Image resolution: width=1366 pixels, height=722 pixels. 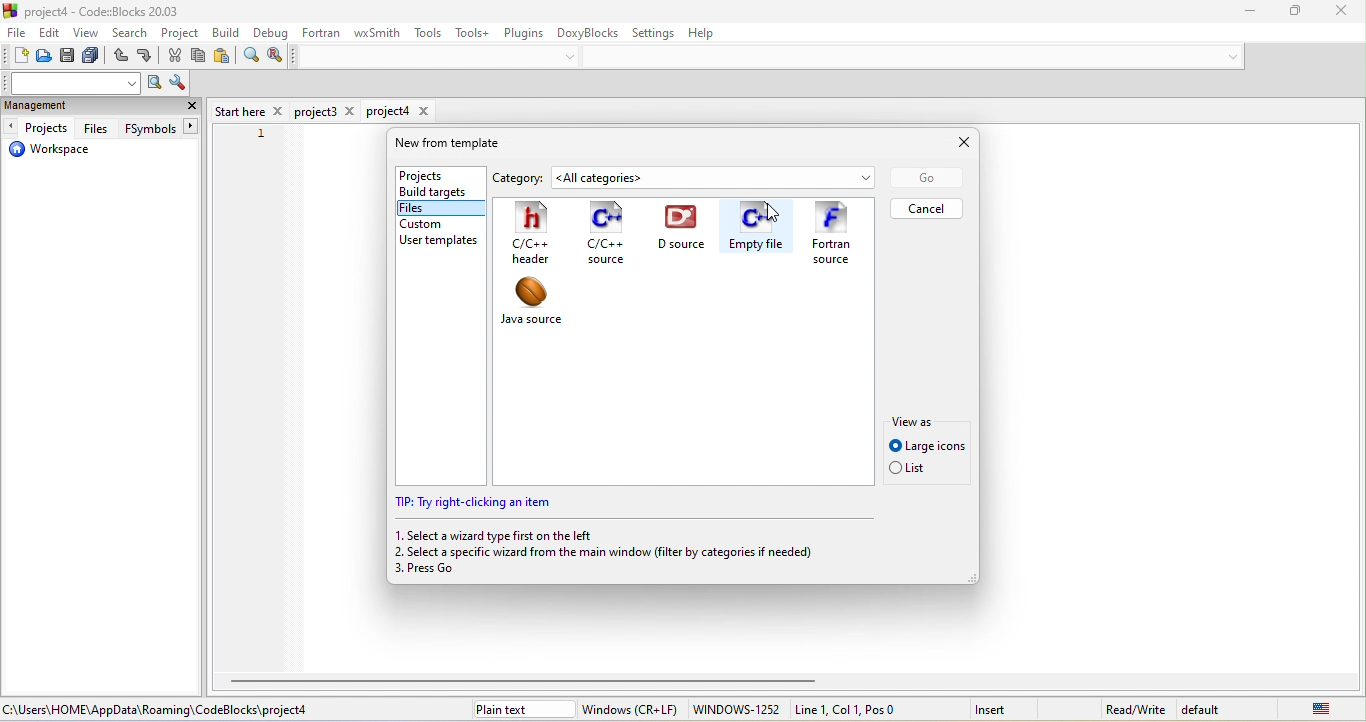 I want to click on save everything, so click(x=94, y=58).